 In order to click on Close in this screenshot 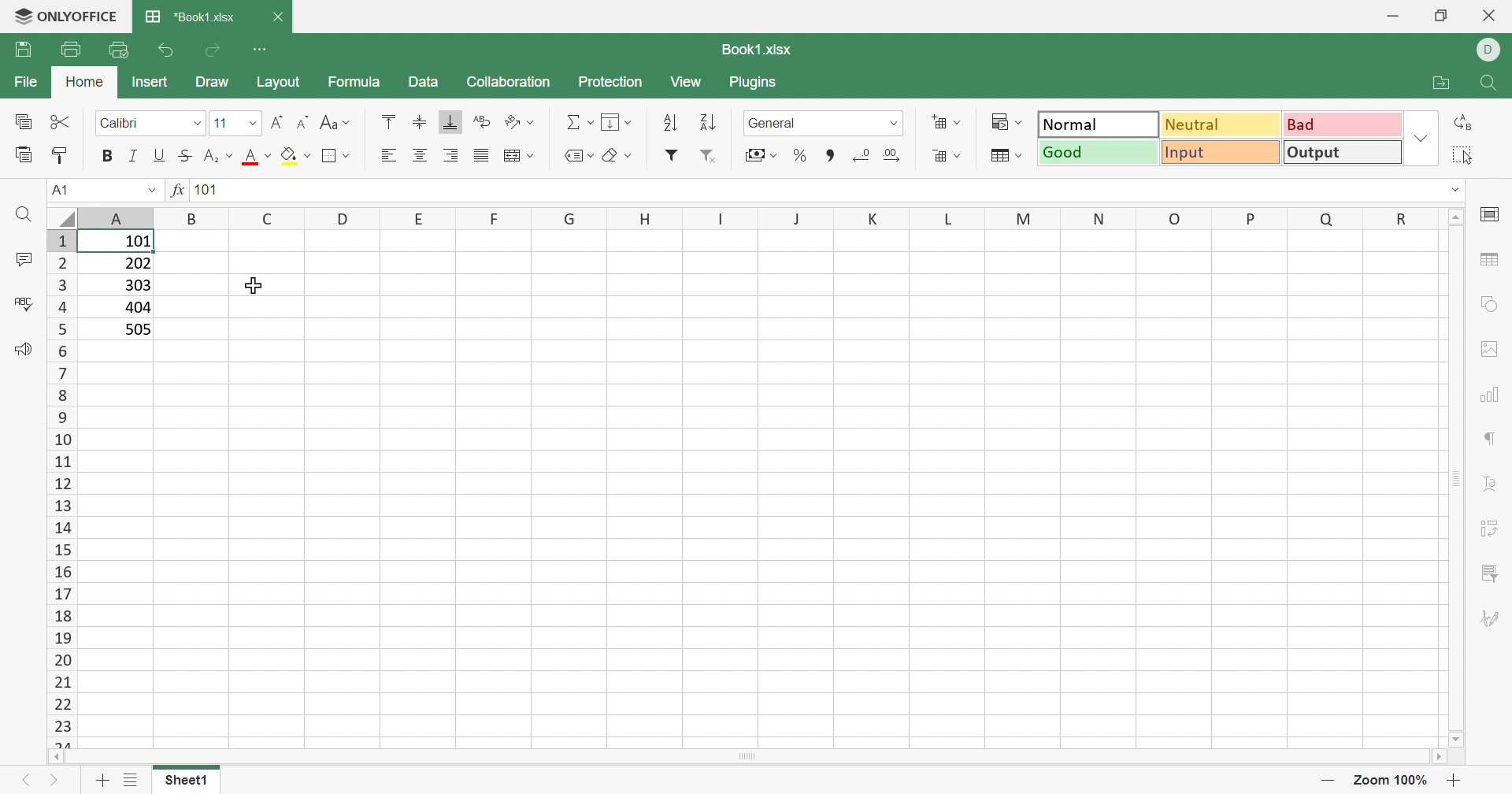, I will do `click(282, 15)`.